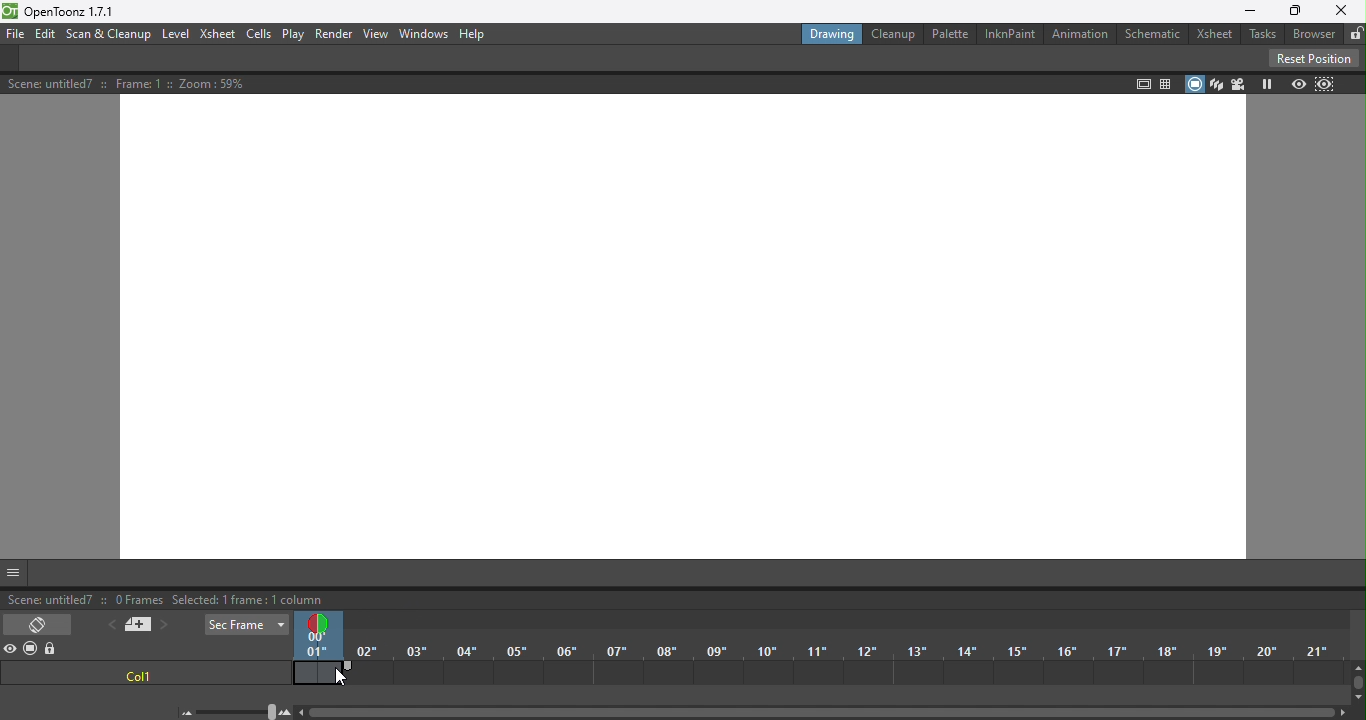 This screenshot has width=1366, height=720. Describe the element at coordinates (109, 625) in the screenshot. I see `Previous memo` at that location.